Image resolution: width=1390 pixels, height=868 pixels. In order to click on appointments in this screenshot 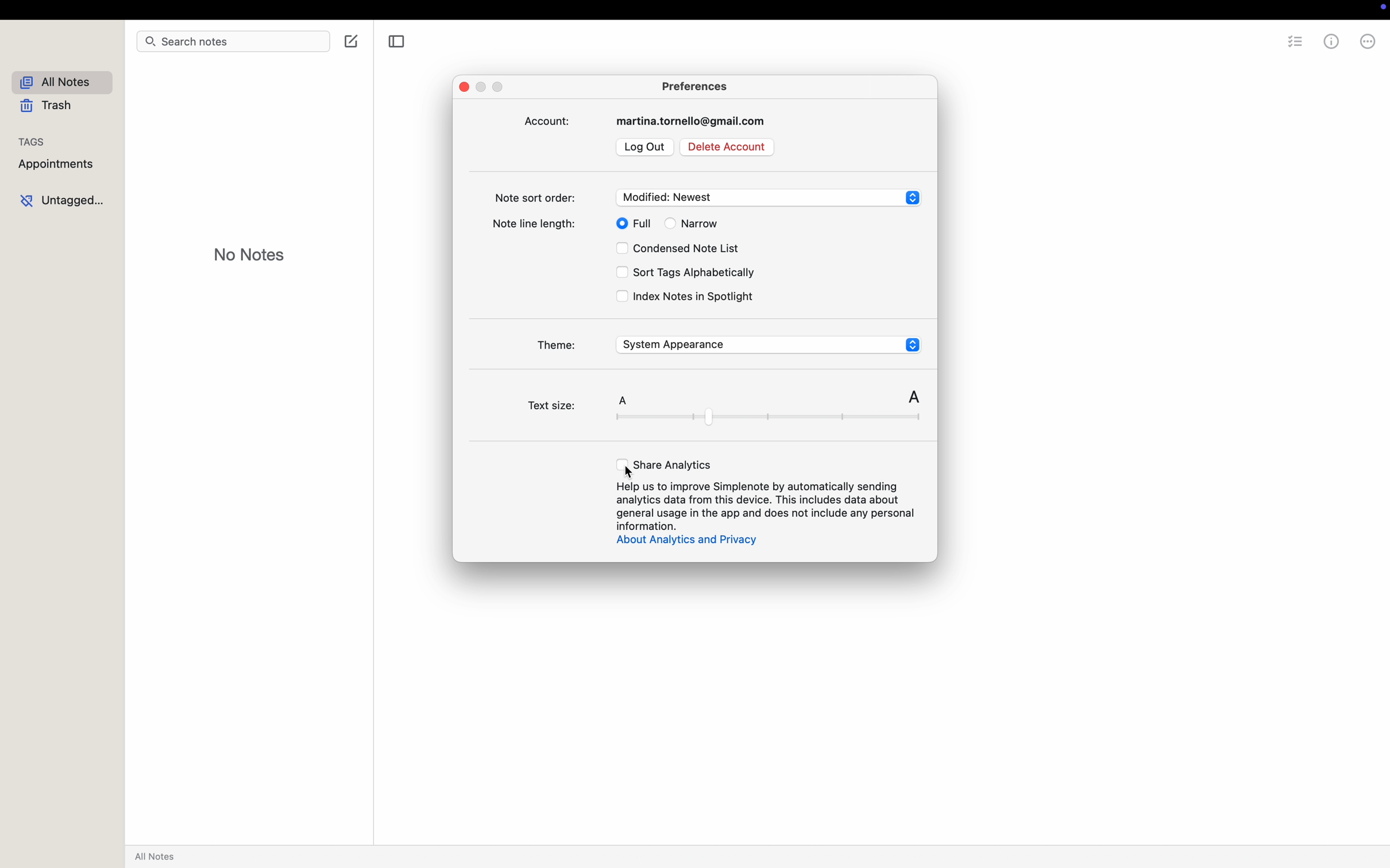, I will do `click(58, 163)`.